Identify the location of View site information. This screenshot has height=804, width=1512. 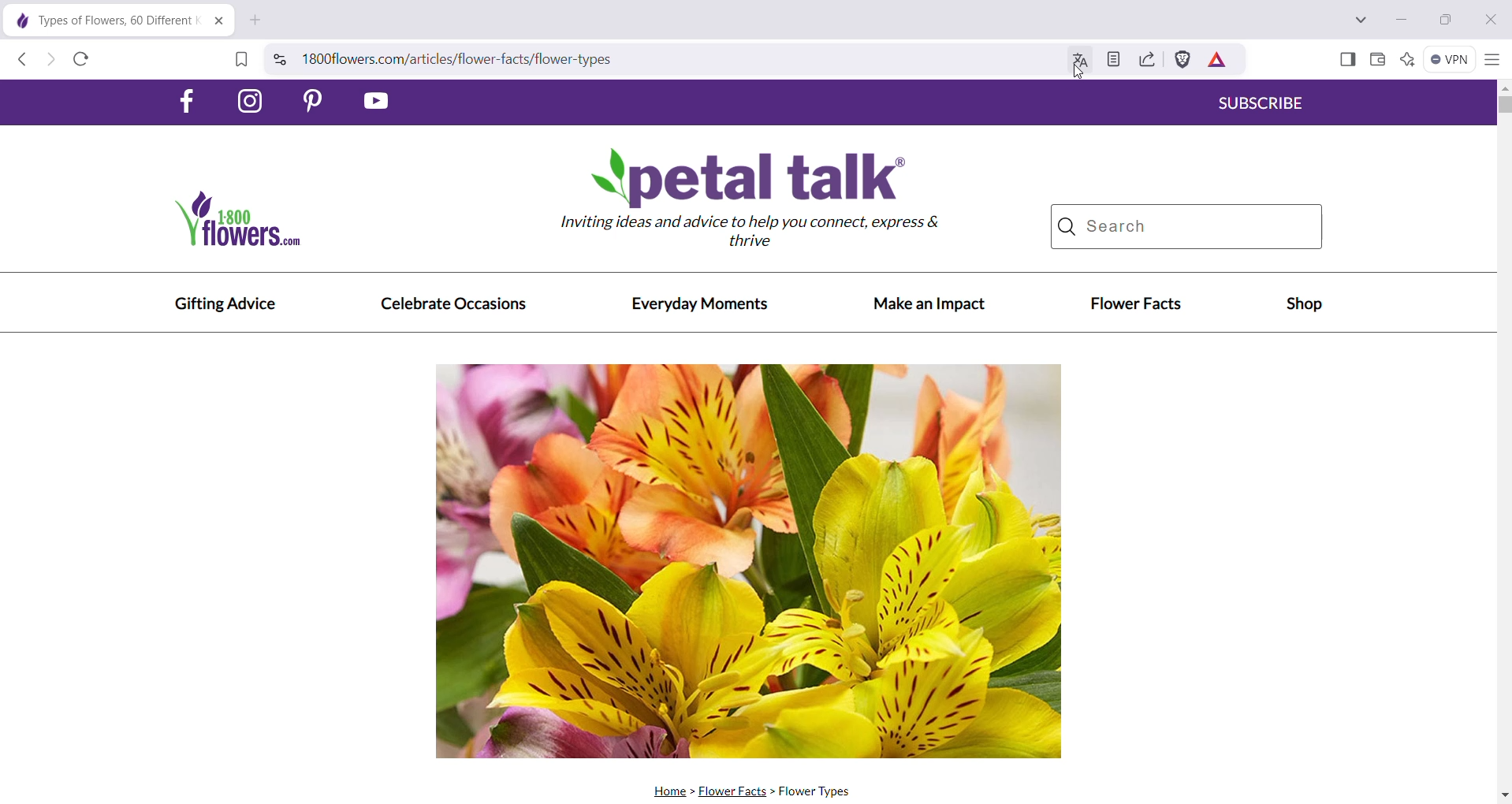
(281, 58).